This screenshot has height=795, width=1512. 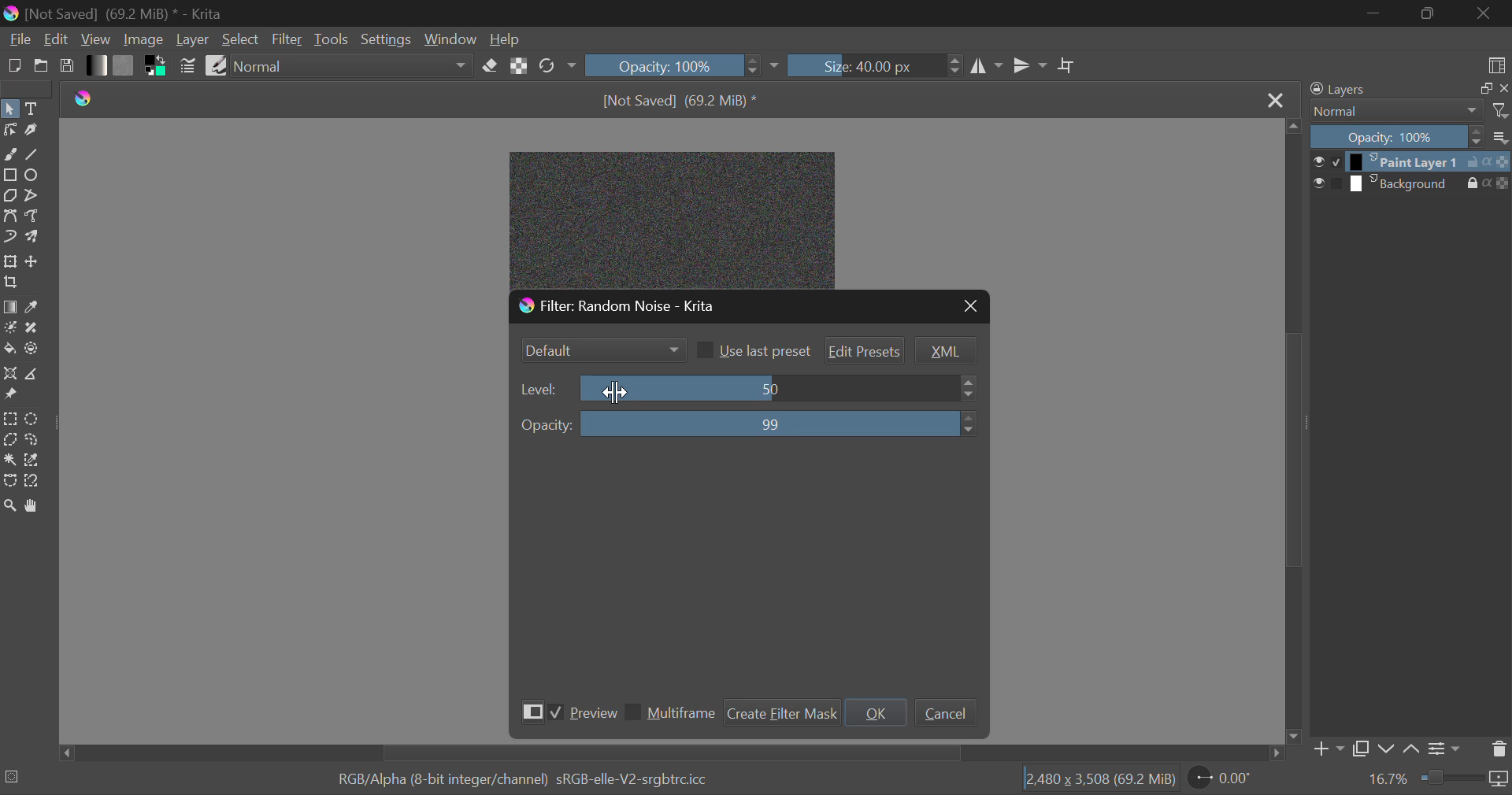 I want to click on Magnetic Selection, so click(x=36, y=481).